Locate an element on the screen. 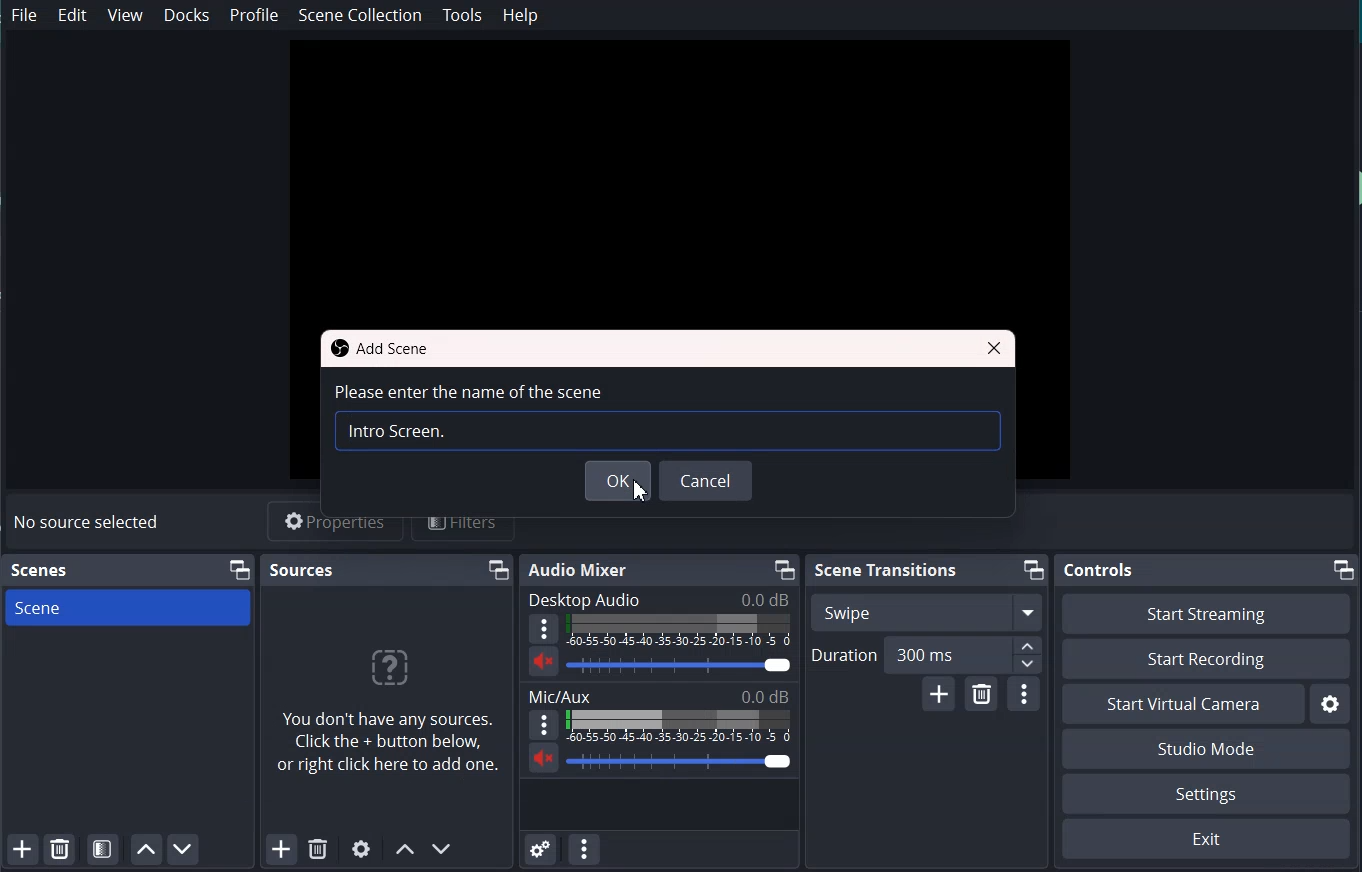 Image resolution: width=1362 pixels, height=872 pixels. Text  is located at coordinates (42, 571).